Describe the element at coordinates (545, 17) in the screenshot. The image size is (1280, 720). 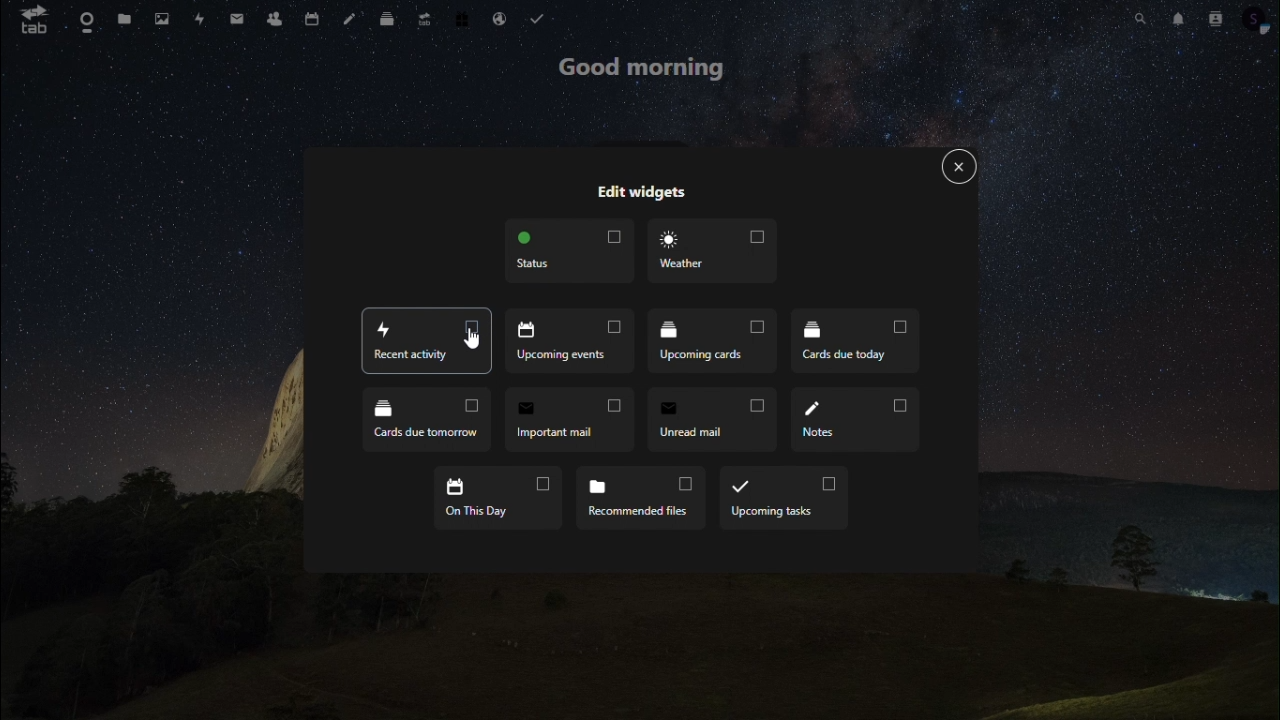
I see `tasks` at that location.